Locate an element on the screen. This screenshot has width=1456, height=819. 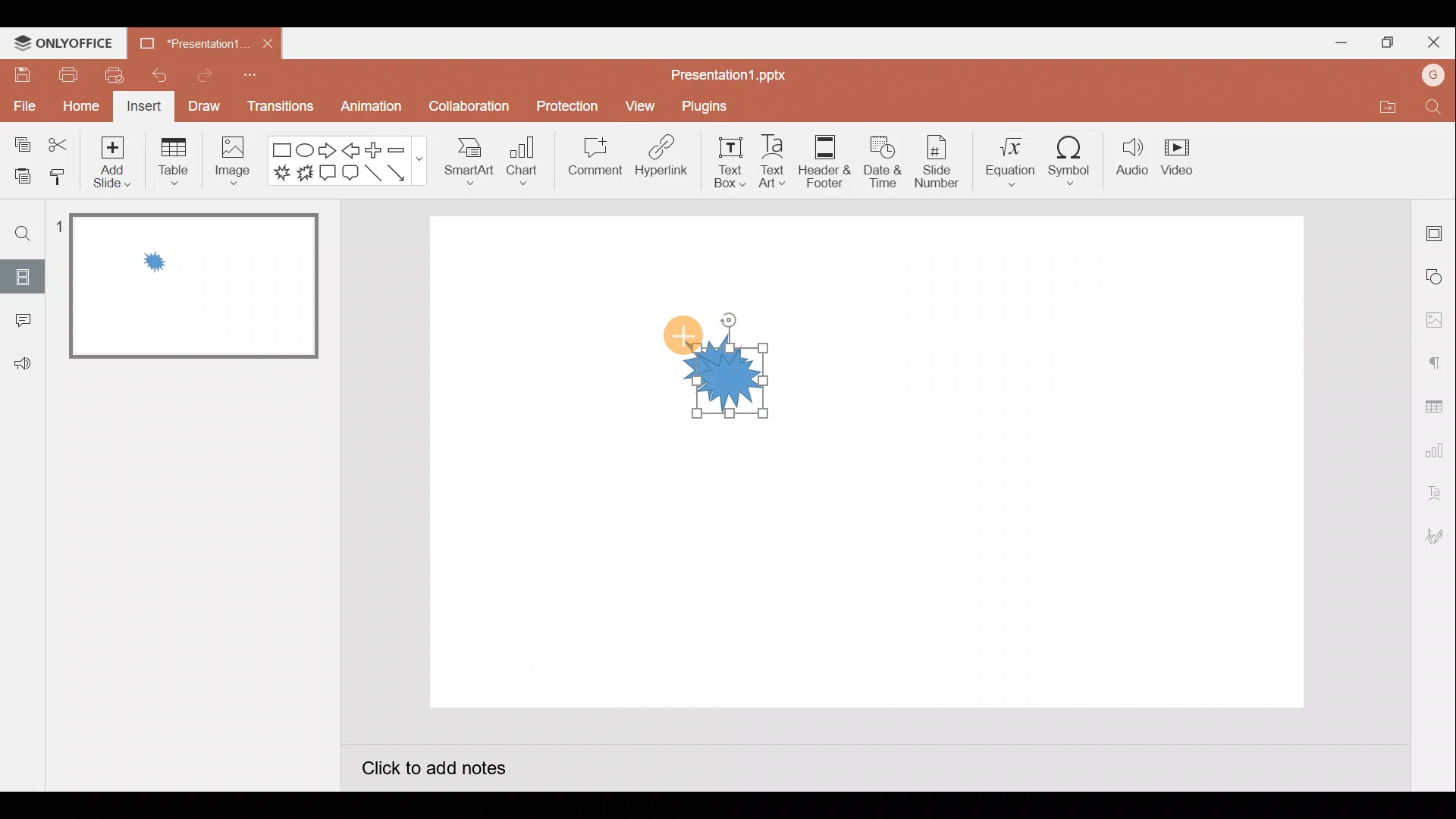
Home is located at coordinates (76, 108).